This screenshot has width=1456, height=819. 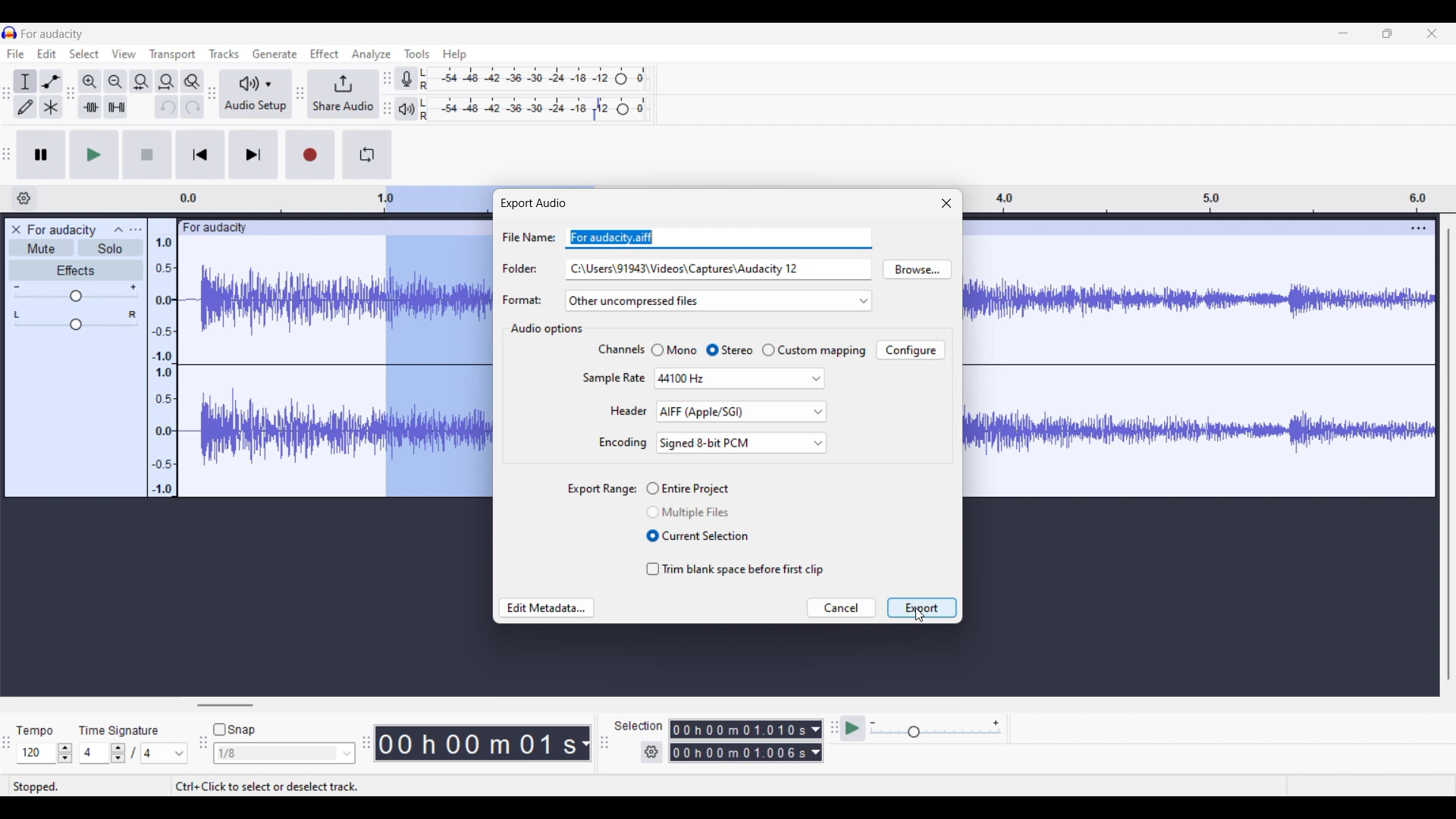 I want to click on Tracks menu, so click(x=224, y=53).